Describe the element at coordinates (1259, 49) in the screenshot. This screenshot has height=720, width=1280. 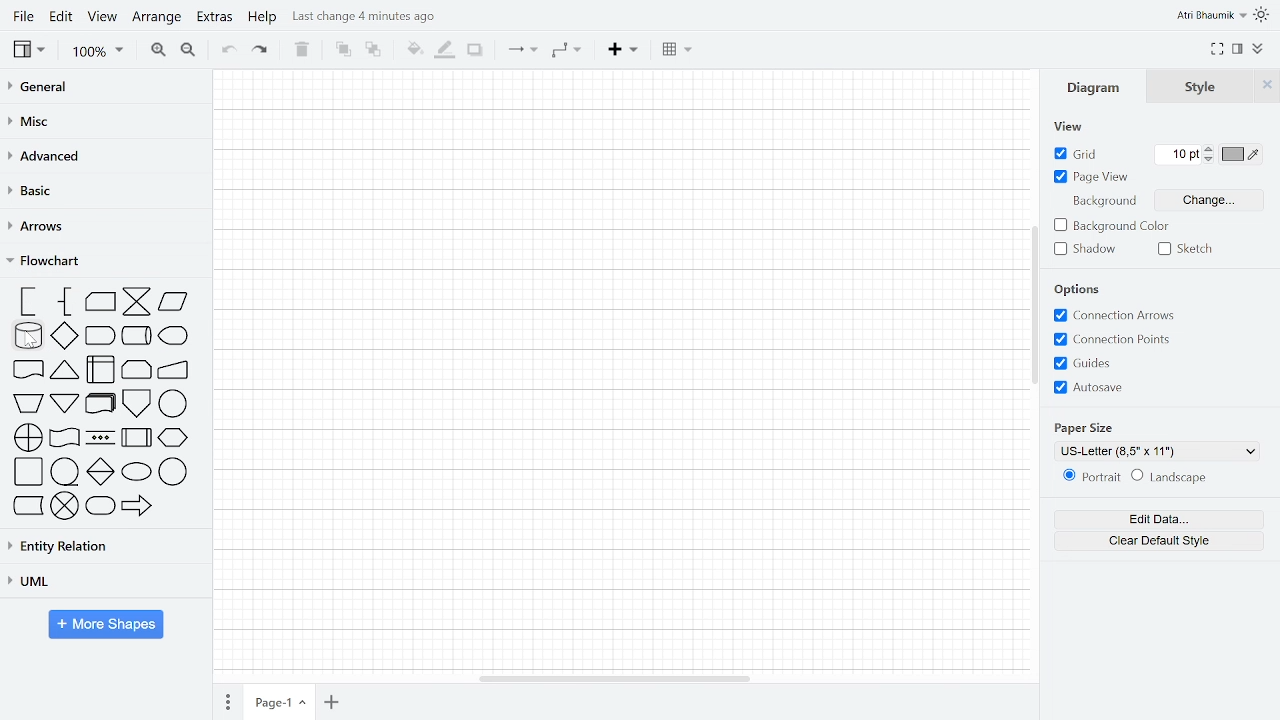
I see `Collapse` at that location.